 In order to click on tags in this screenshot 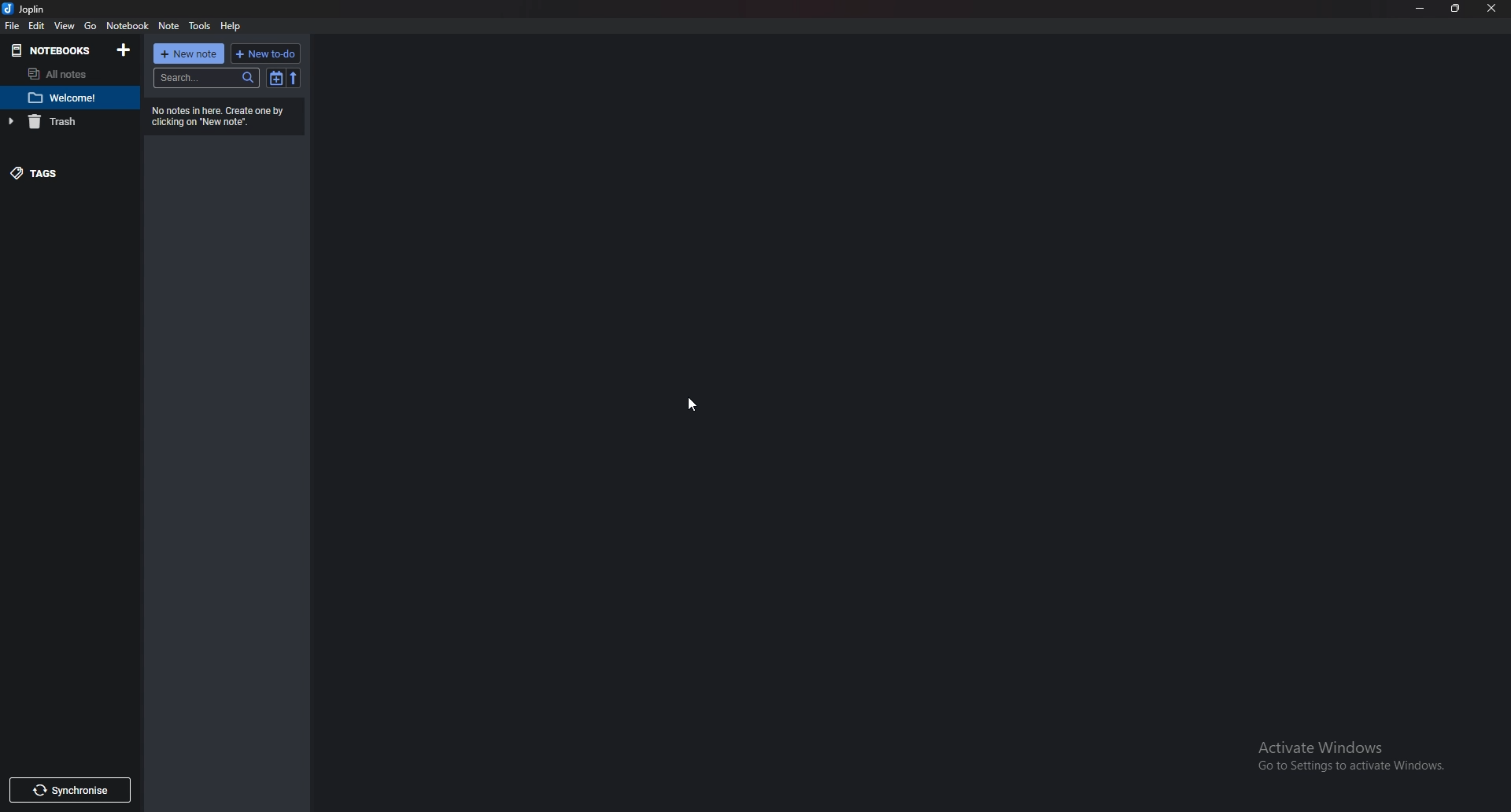, I will do `click(50, 173)`.